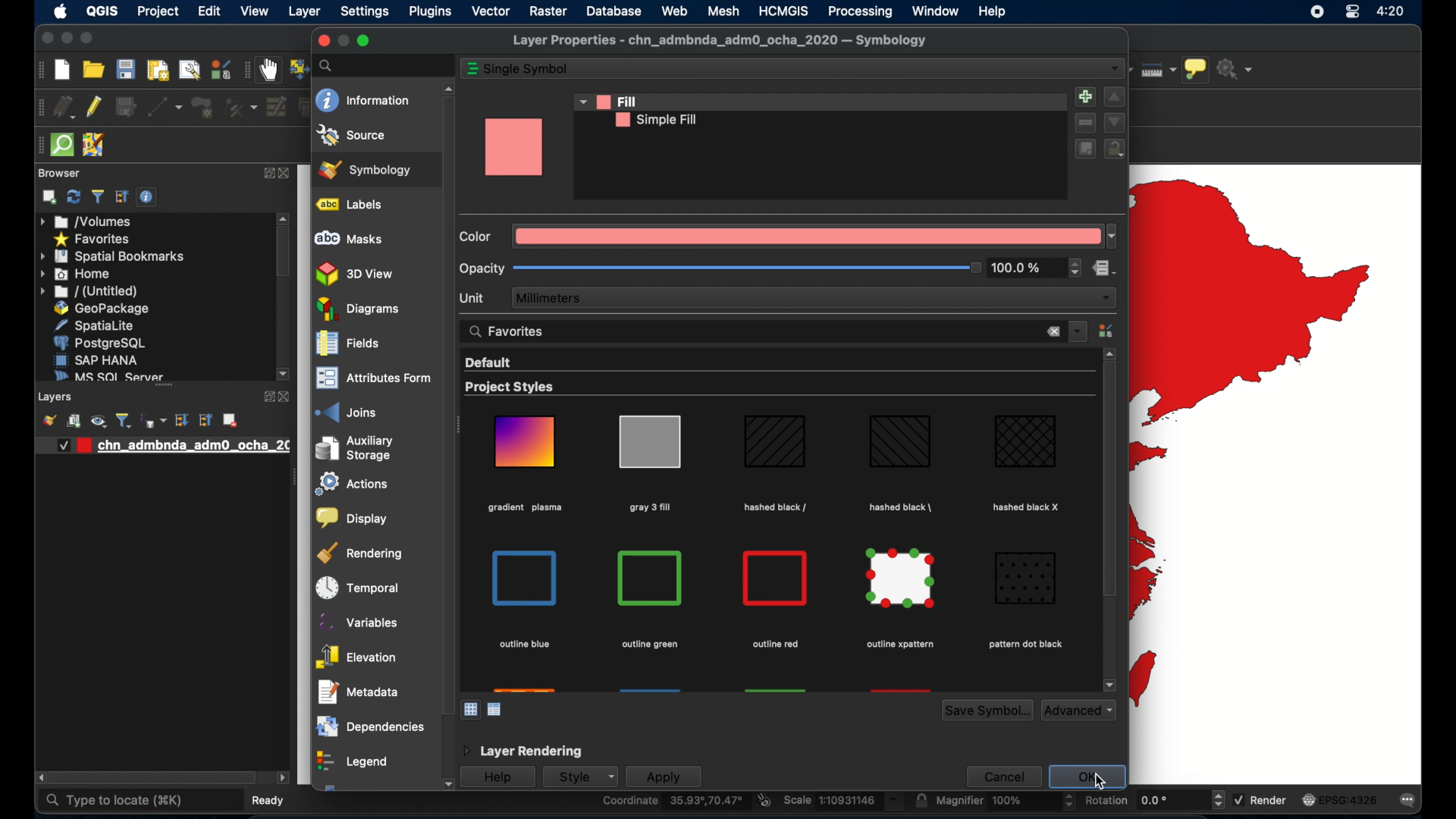 This screenshot has height=819, width=1456. Describe the element at coordinates (204, 420) in the screenshot. I see `collapse` at that location.